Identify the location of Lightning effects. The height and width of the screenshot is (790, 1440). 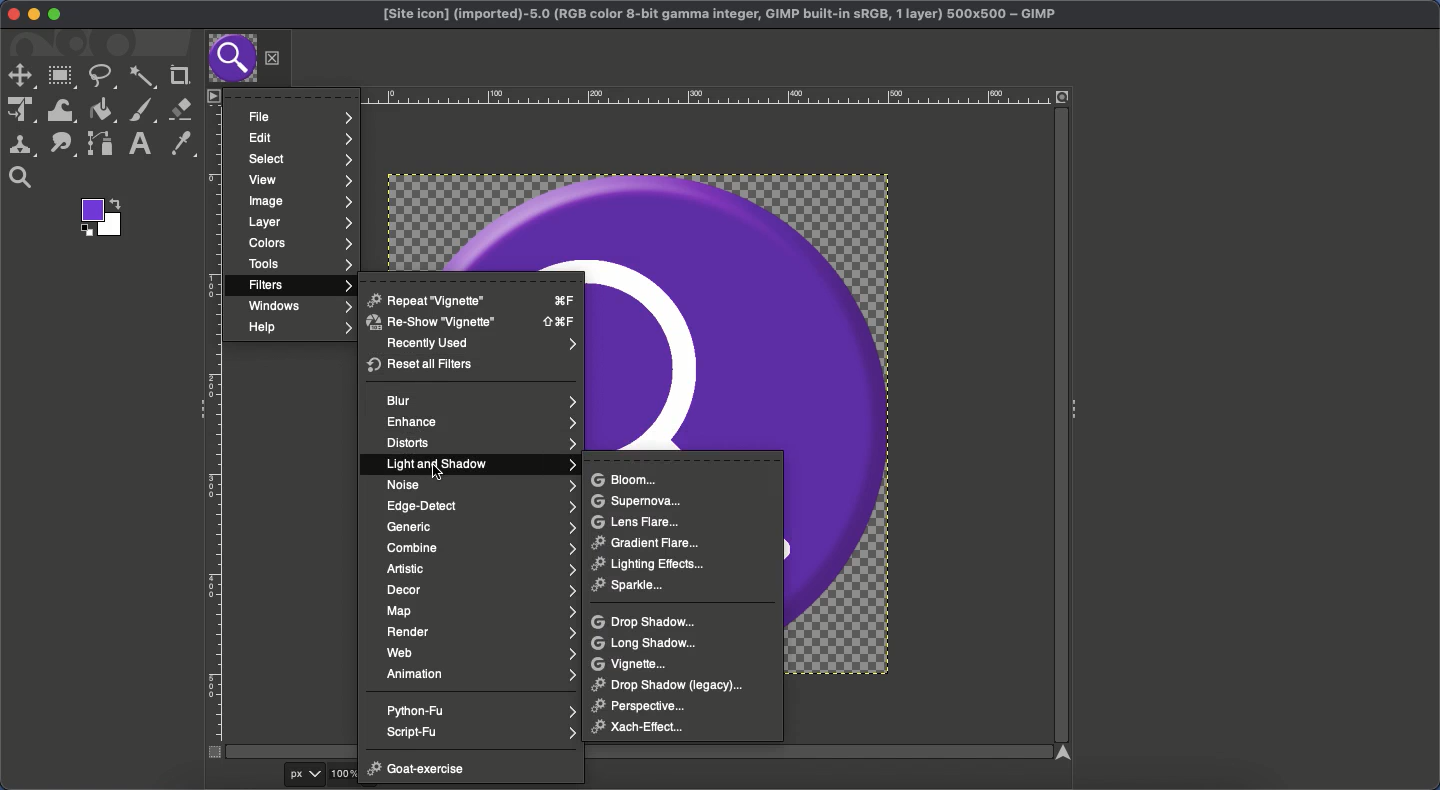
(656, 565).